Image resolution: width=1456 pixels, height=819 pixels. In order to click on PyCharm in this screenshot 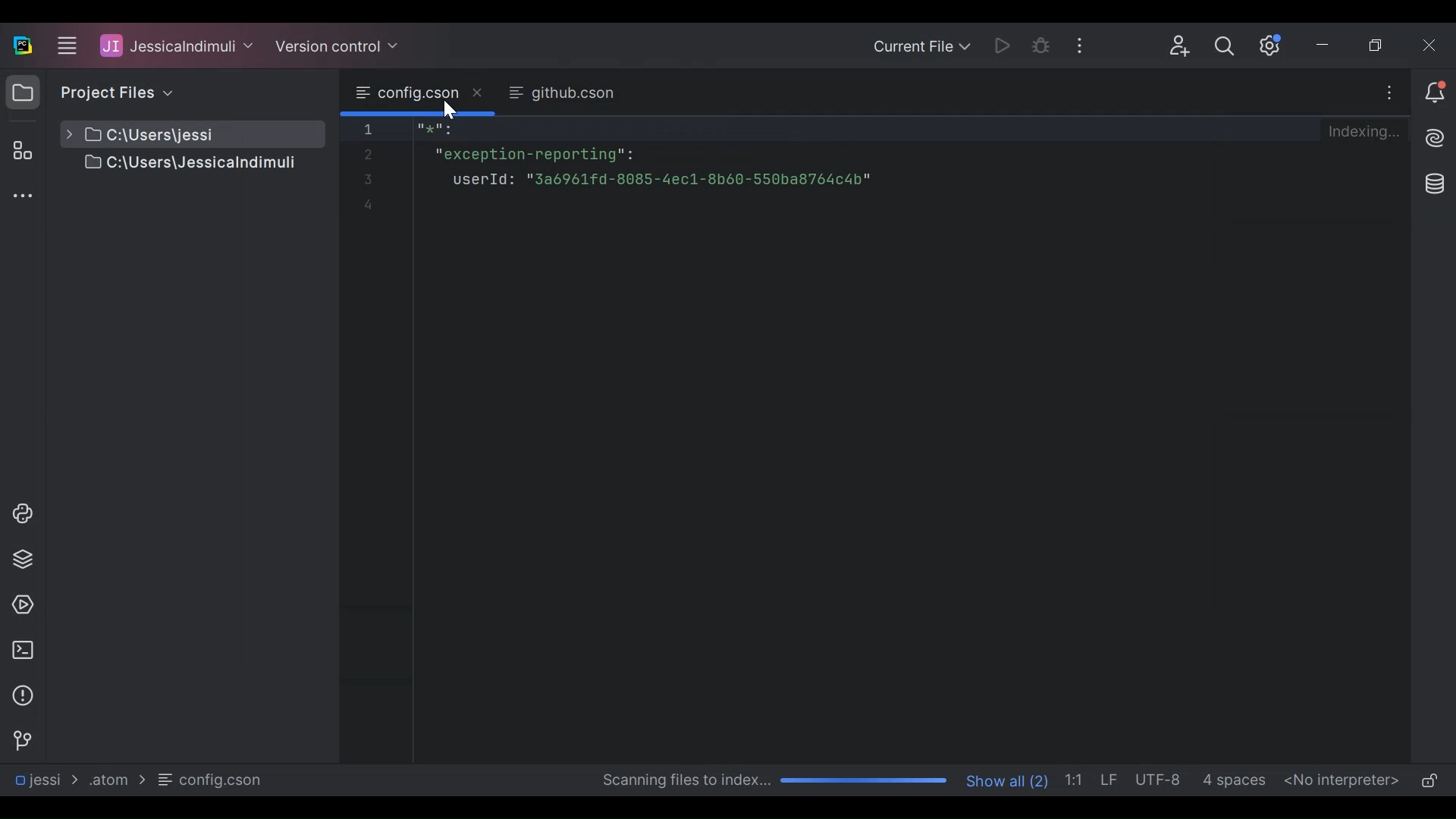, I will do `click(23, 45)`.